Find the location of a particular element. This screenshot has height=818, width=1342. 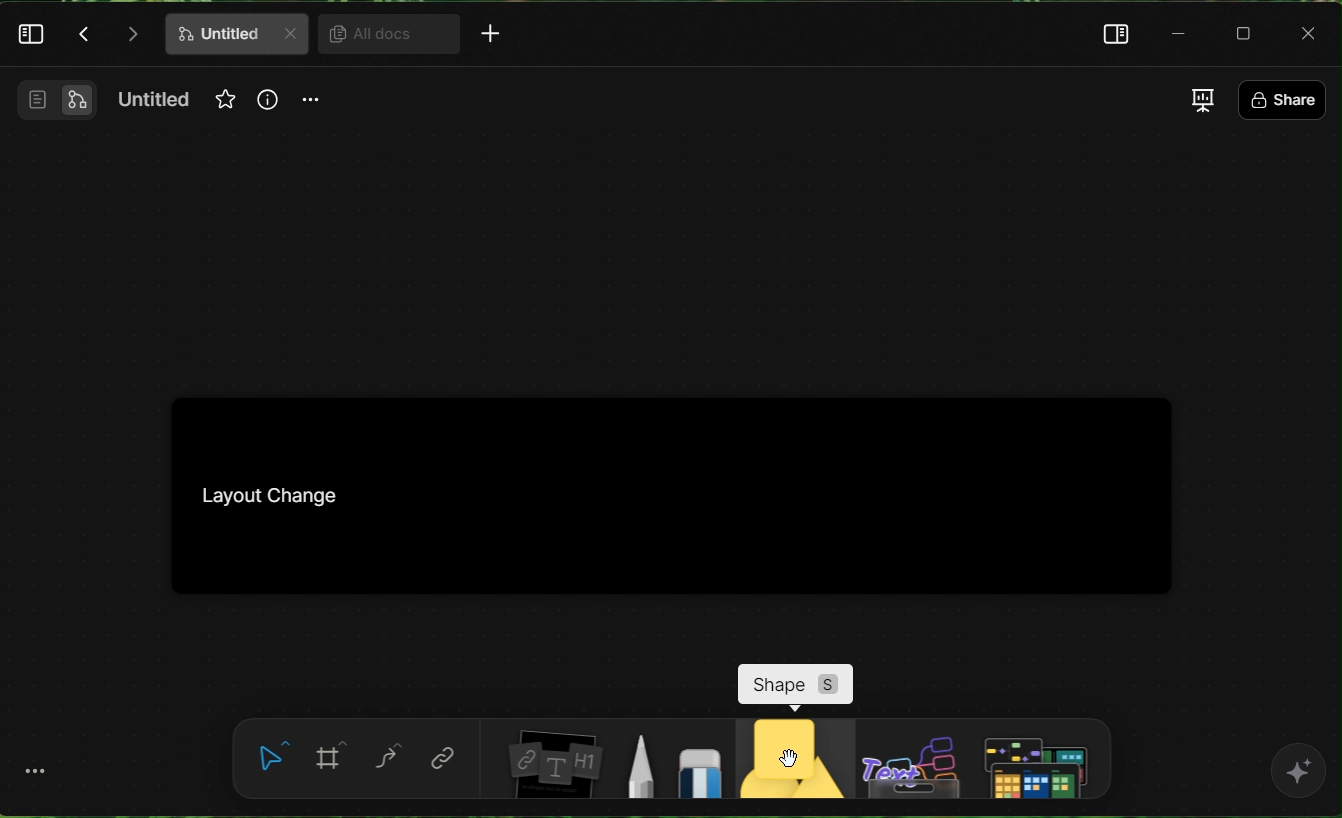

pen is located at coordinates (639, 760).